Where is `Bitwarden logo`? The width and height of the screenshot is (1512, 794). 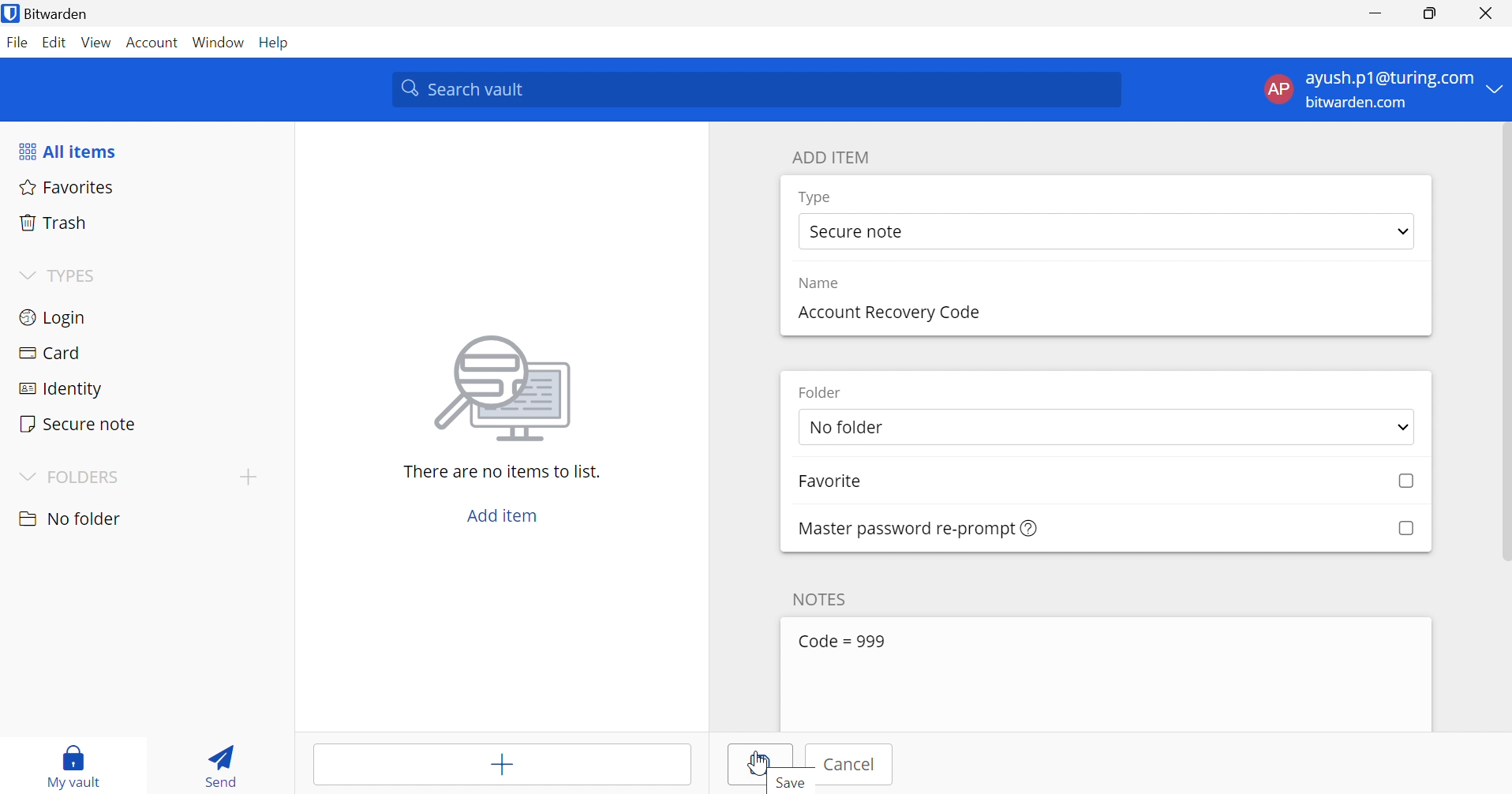
Bitwarden logo is located at coordinates (9, 13).